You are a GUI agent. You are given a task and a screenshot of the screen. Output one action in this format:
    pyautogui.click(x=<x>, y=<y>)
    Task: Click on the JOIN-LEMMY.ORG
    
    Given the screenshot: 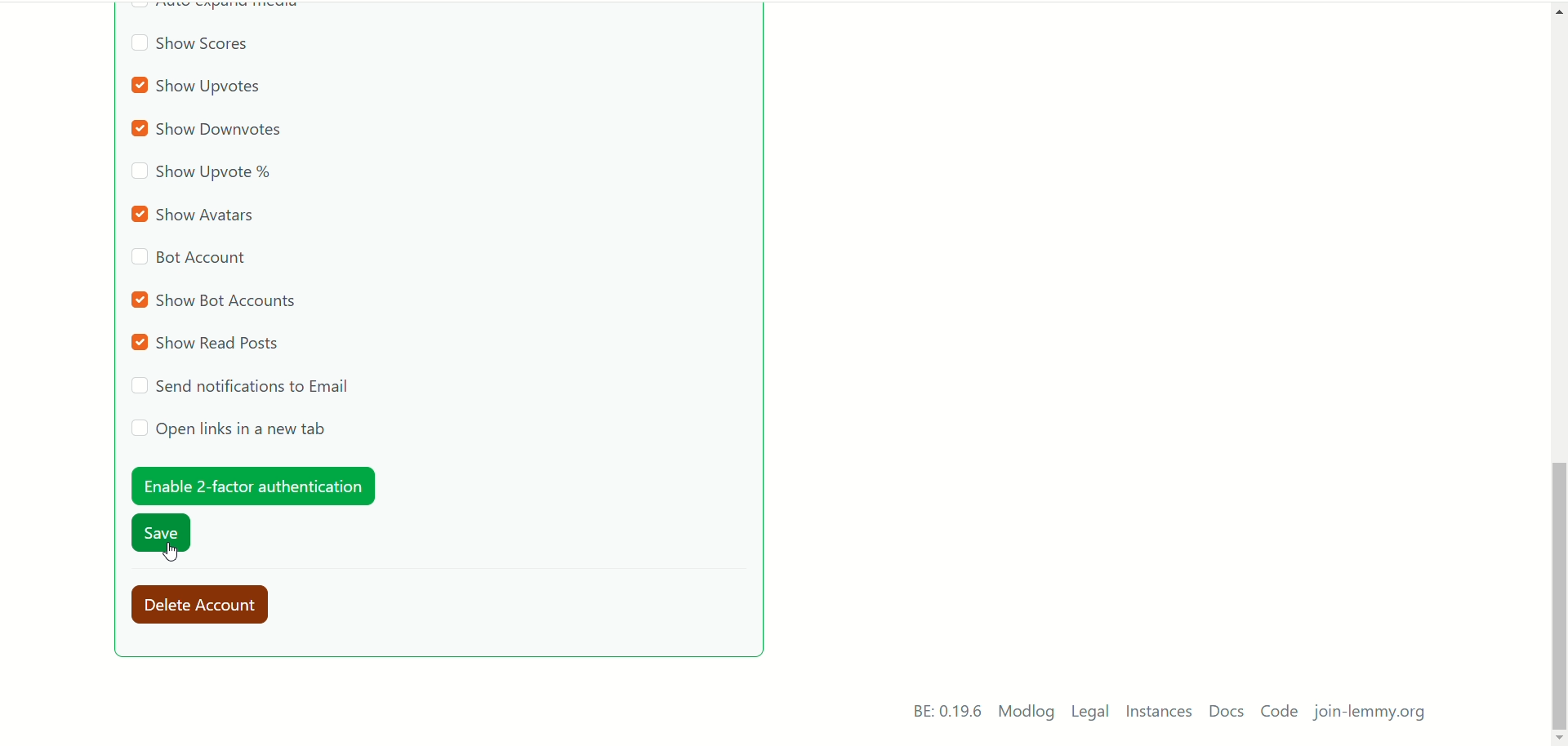 What is the action you would take?
    pyautogui.click(x=1375, y=715)
    